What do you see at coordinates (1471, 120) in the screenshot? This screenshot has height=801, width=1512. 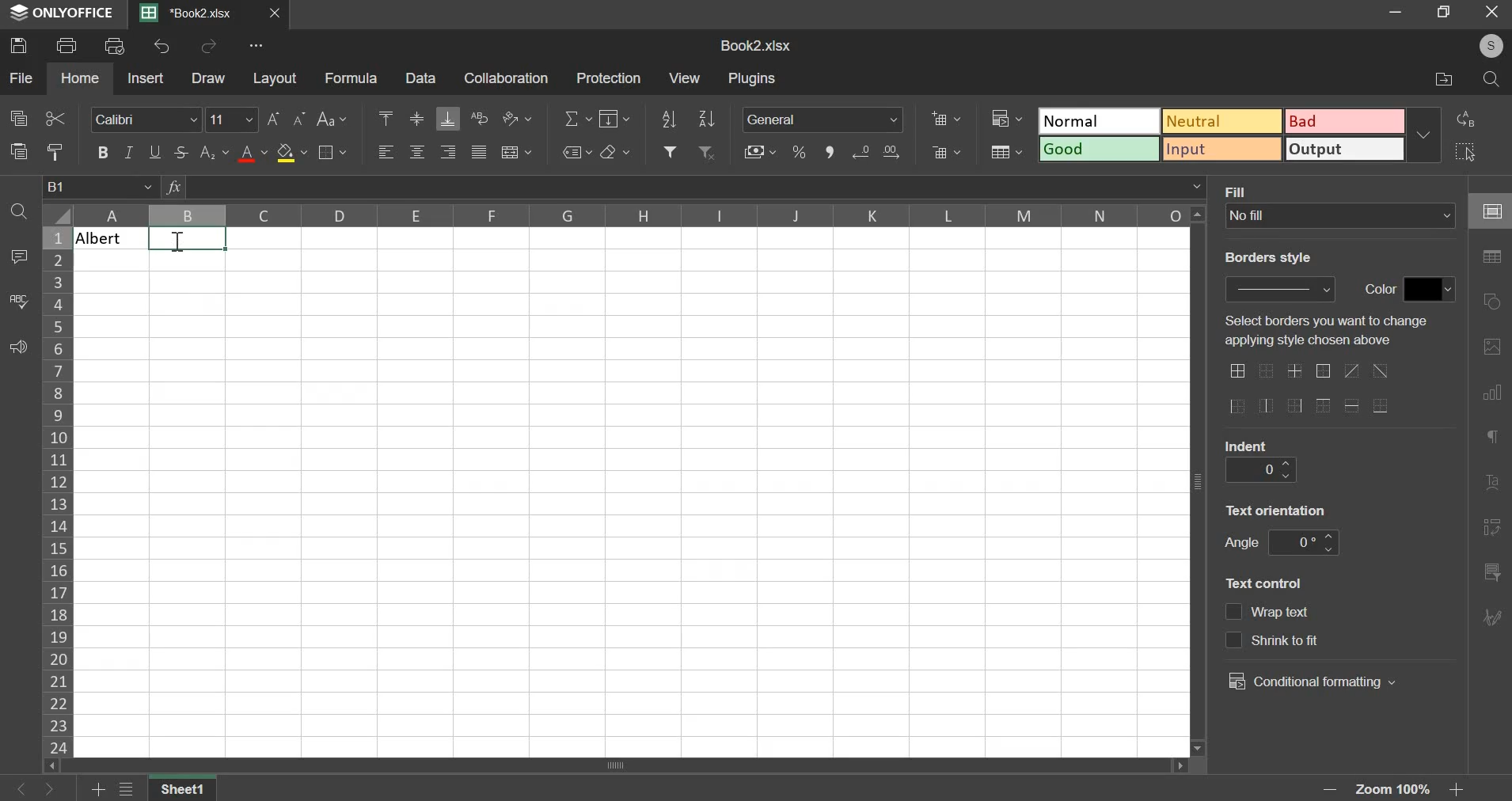 I see `replace` at bounding box center [1471, 120].